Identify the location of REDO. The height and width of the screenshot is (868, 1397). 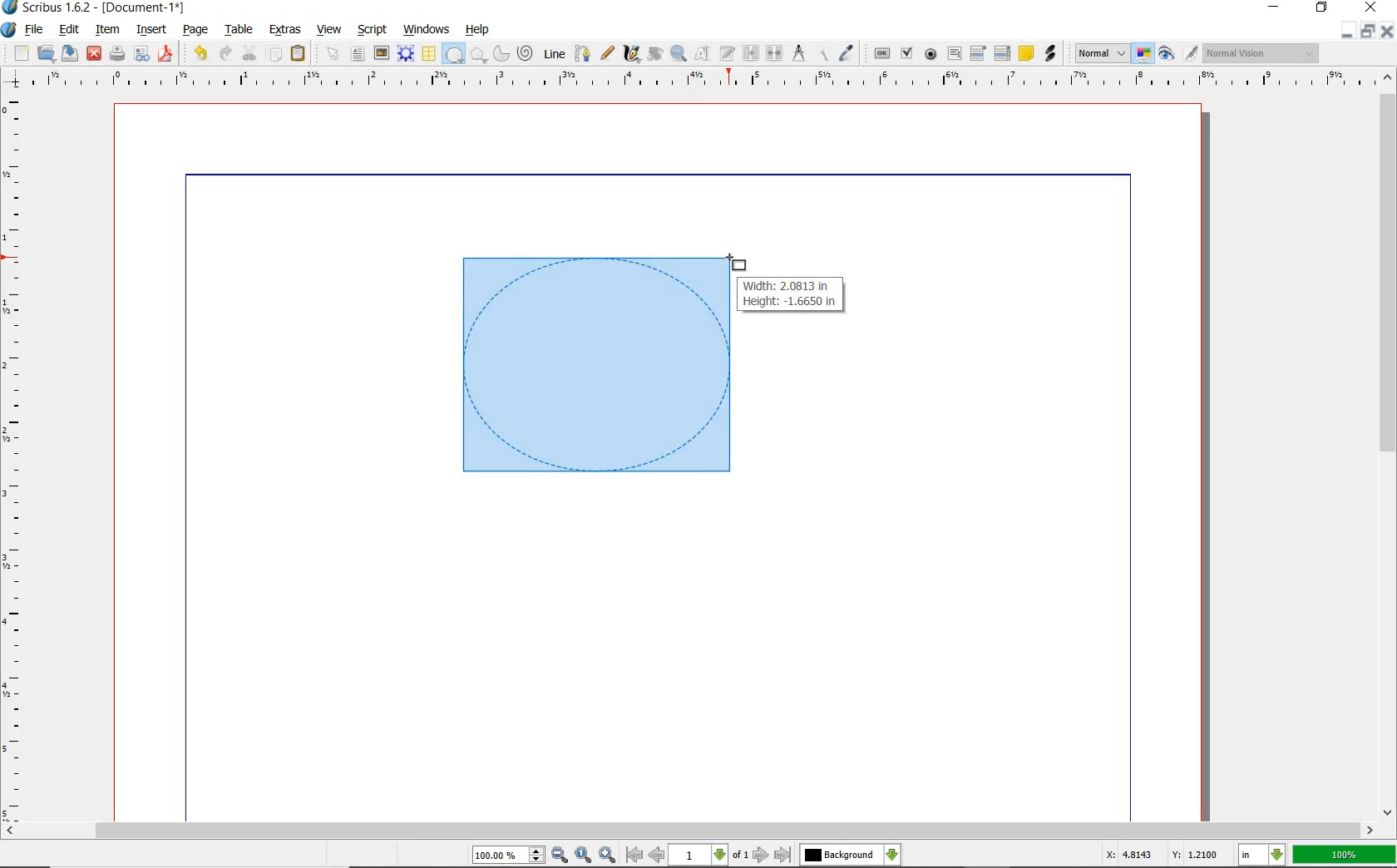
(225, 52).